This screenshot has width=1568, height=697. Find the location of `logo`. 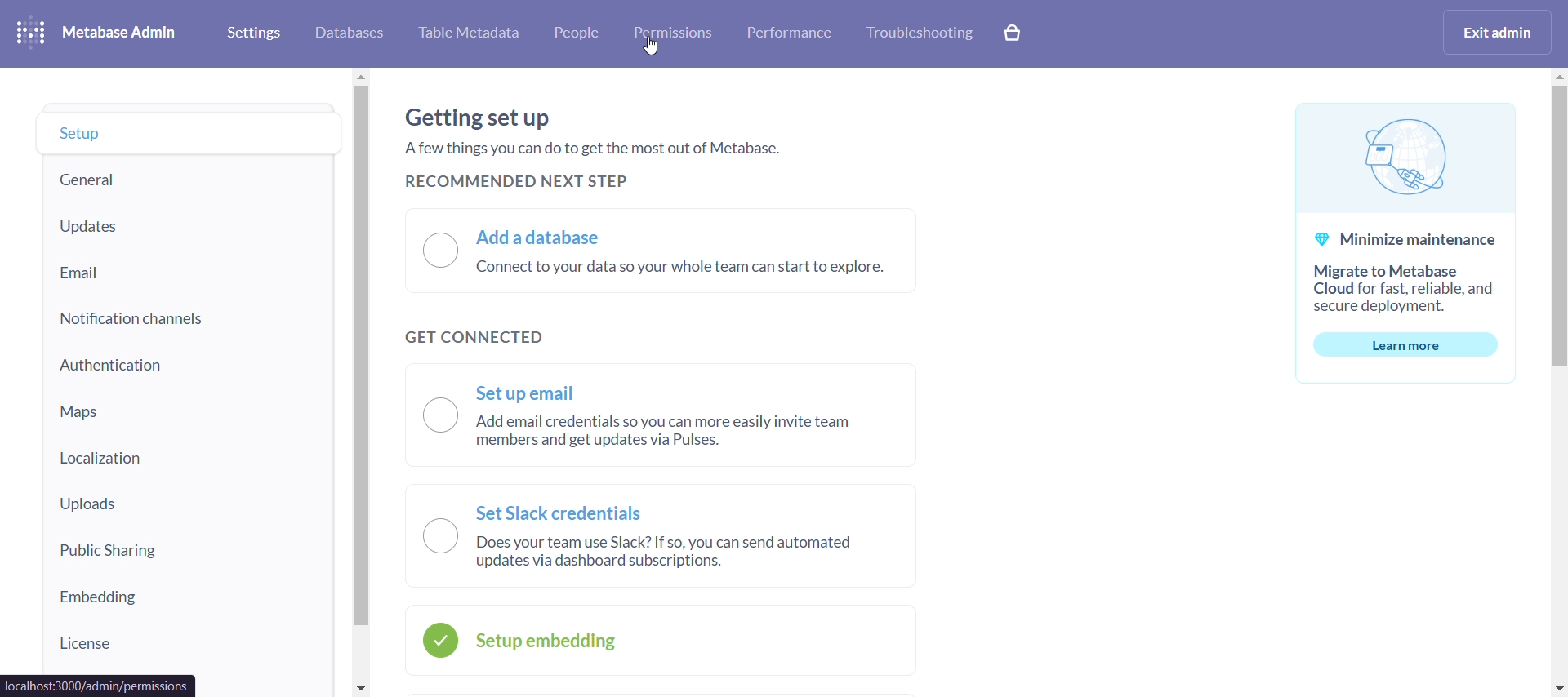

logo is located at coordinates (30, 34).